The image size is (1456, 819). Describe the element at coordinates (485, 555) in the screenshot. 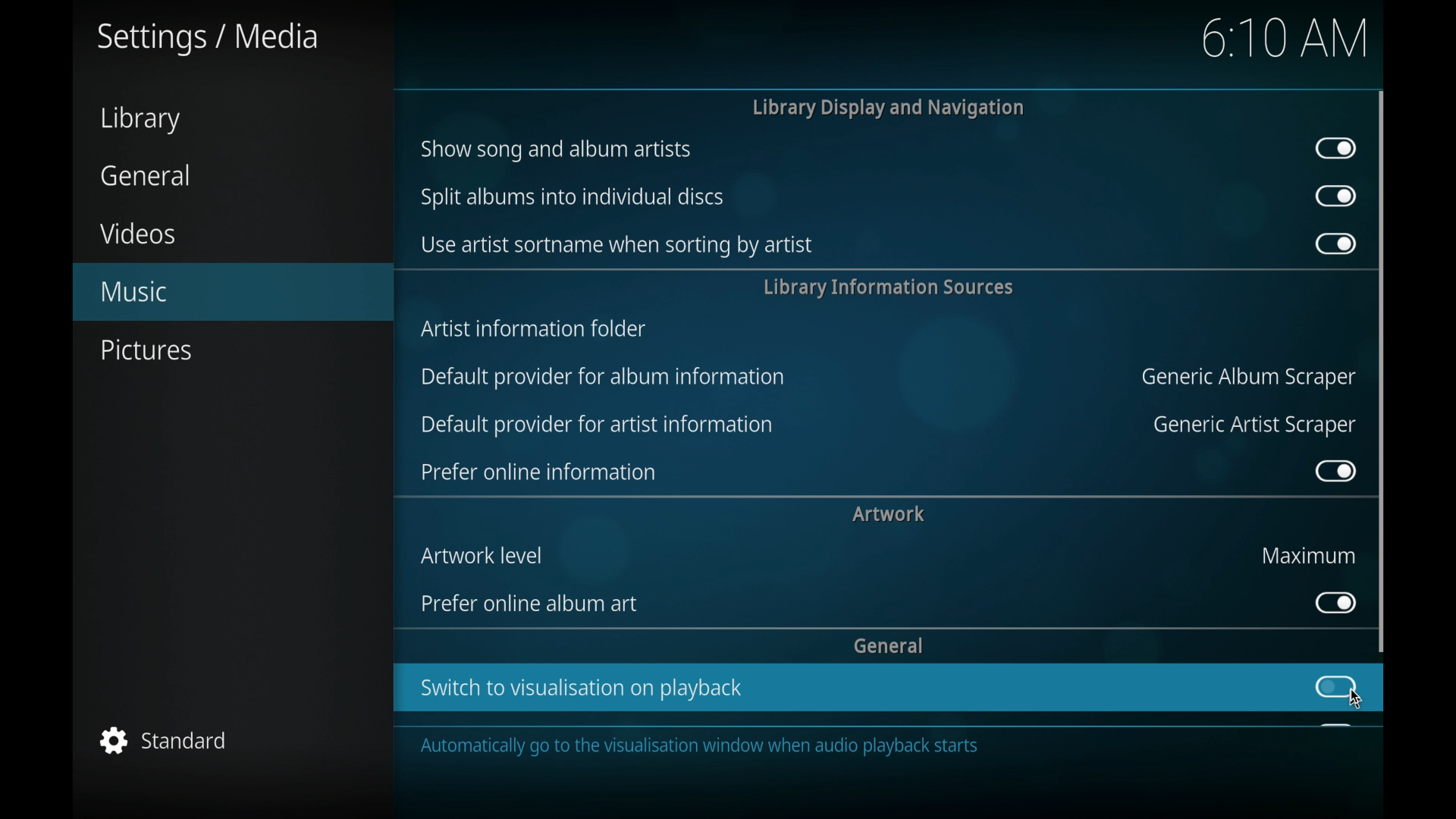

I see `artwork level` at that location.